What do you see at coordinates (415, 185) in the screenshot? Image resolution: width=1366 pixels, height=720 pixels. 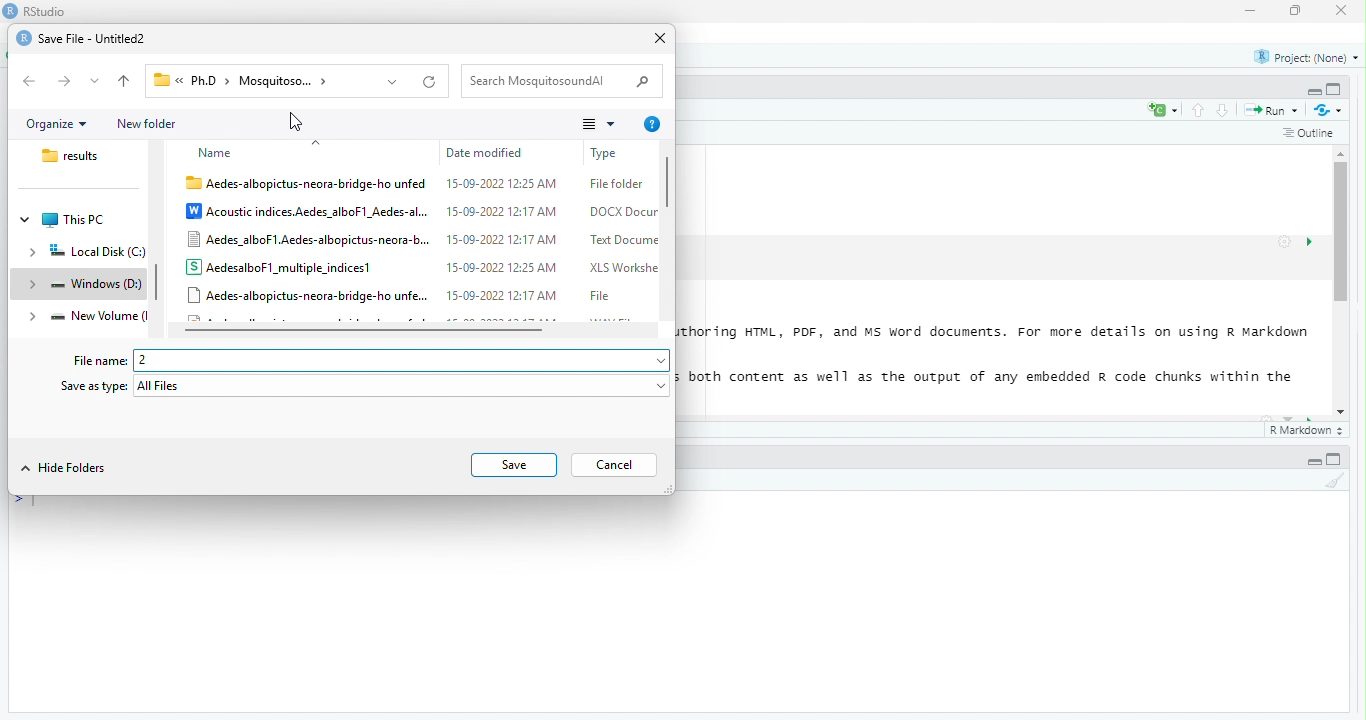 I see `Aedes-albopictus-neora-bridge-ho unfed 15-09-2022 12:25AM File folder` at bounding box center [415, 185].